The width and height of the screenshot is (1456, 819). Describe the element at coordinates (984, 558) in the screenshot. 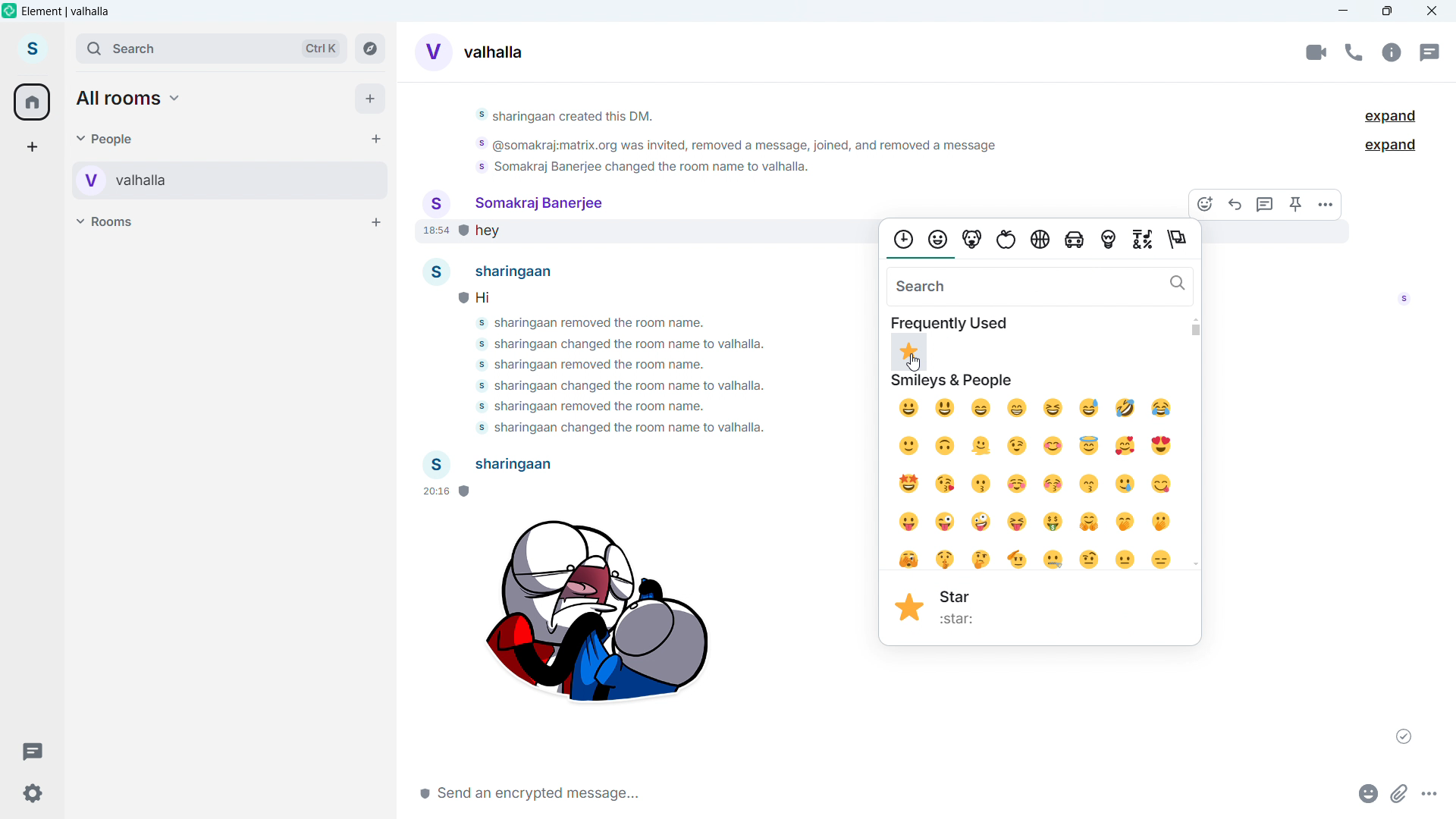

I see `thinking face` at that location.